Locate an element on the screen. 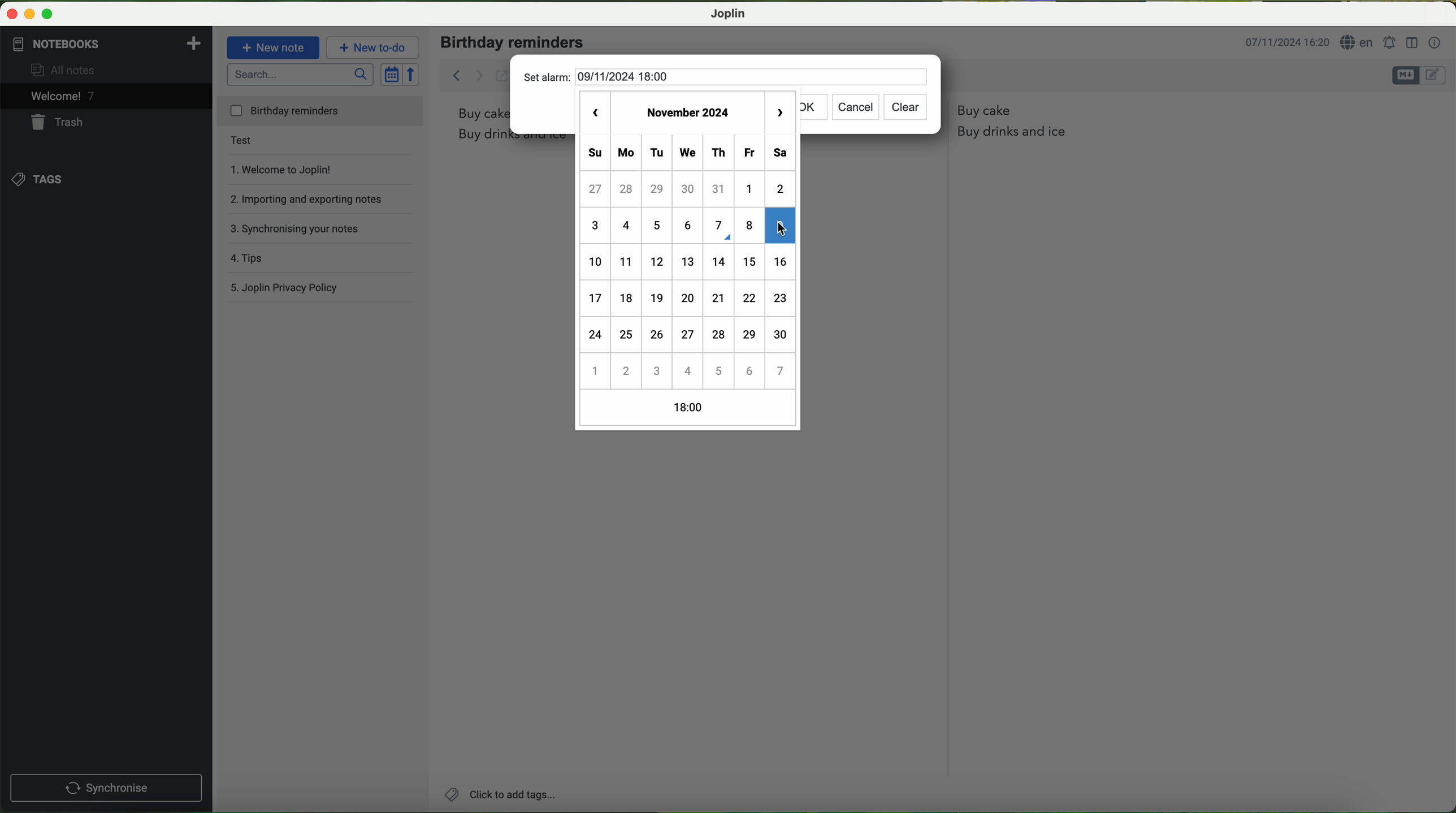 The height and width of the screenshot is (813, 1456). back arrow is located at coordinates (466, 74).